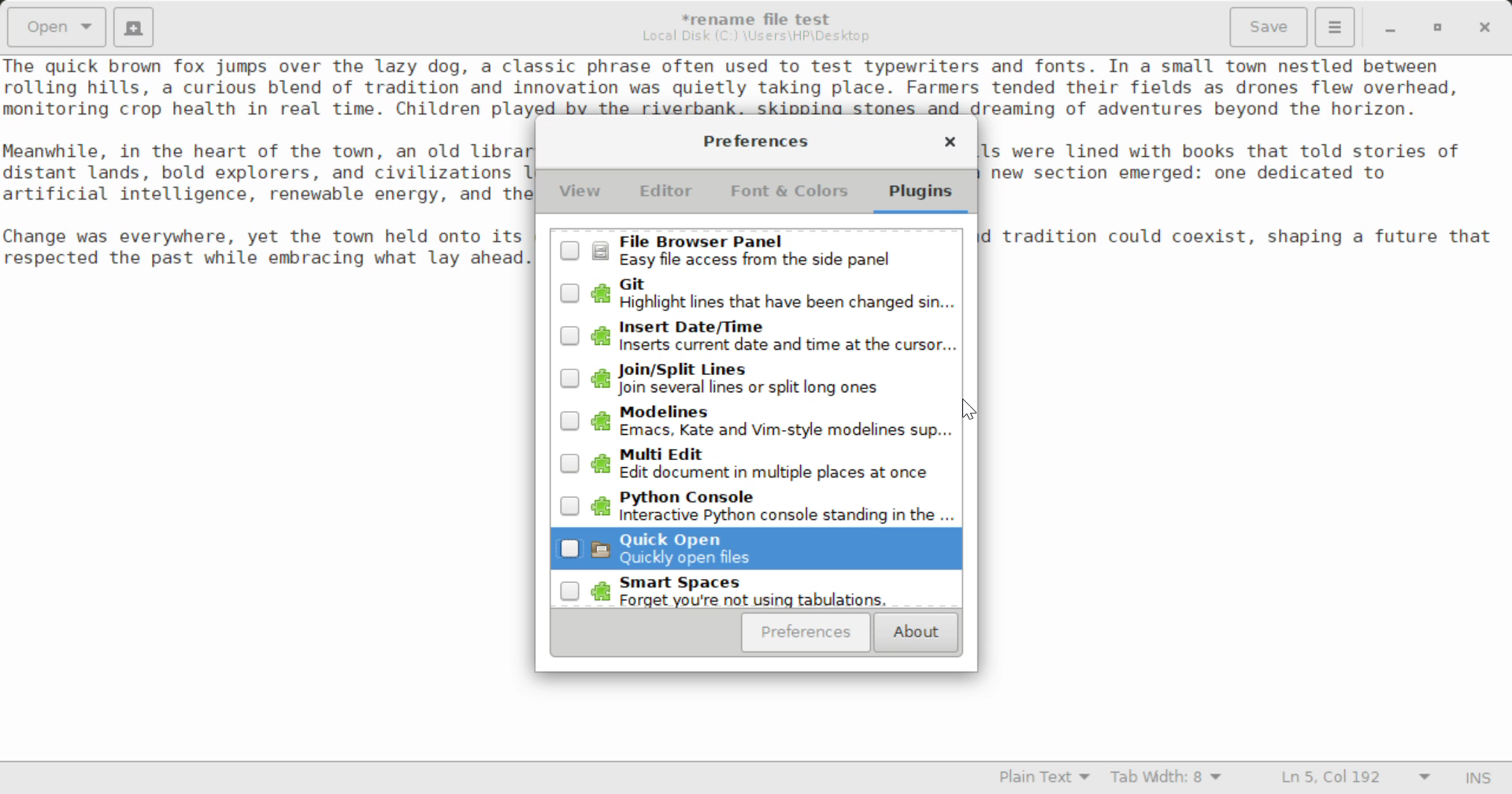  I want to click on Down Arrow to Quickly Open Plugin Button Unselected, so click(760, 551).